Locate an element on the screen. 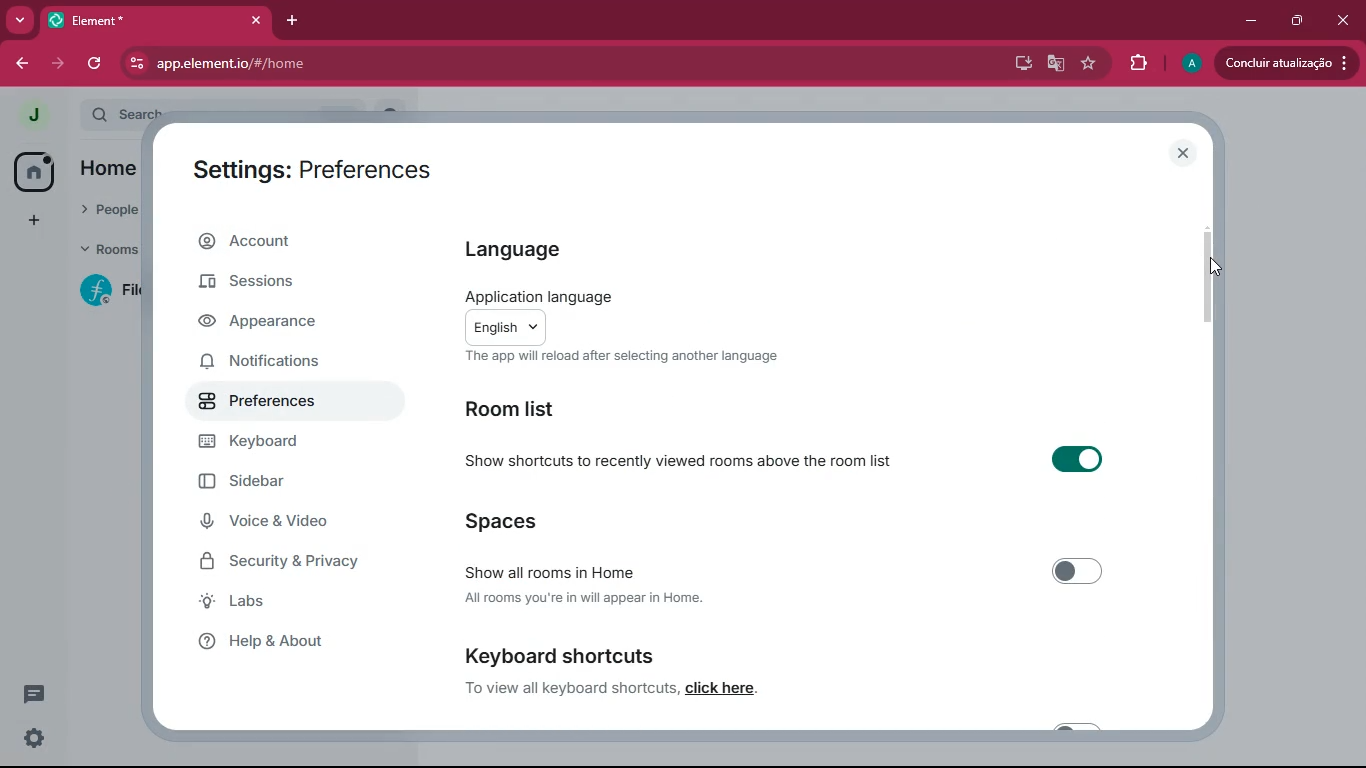 The height and width of the screenshot is (768, 1366). settings: account is located at coordinates (315, 173).